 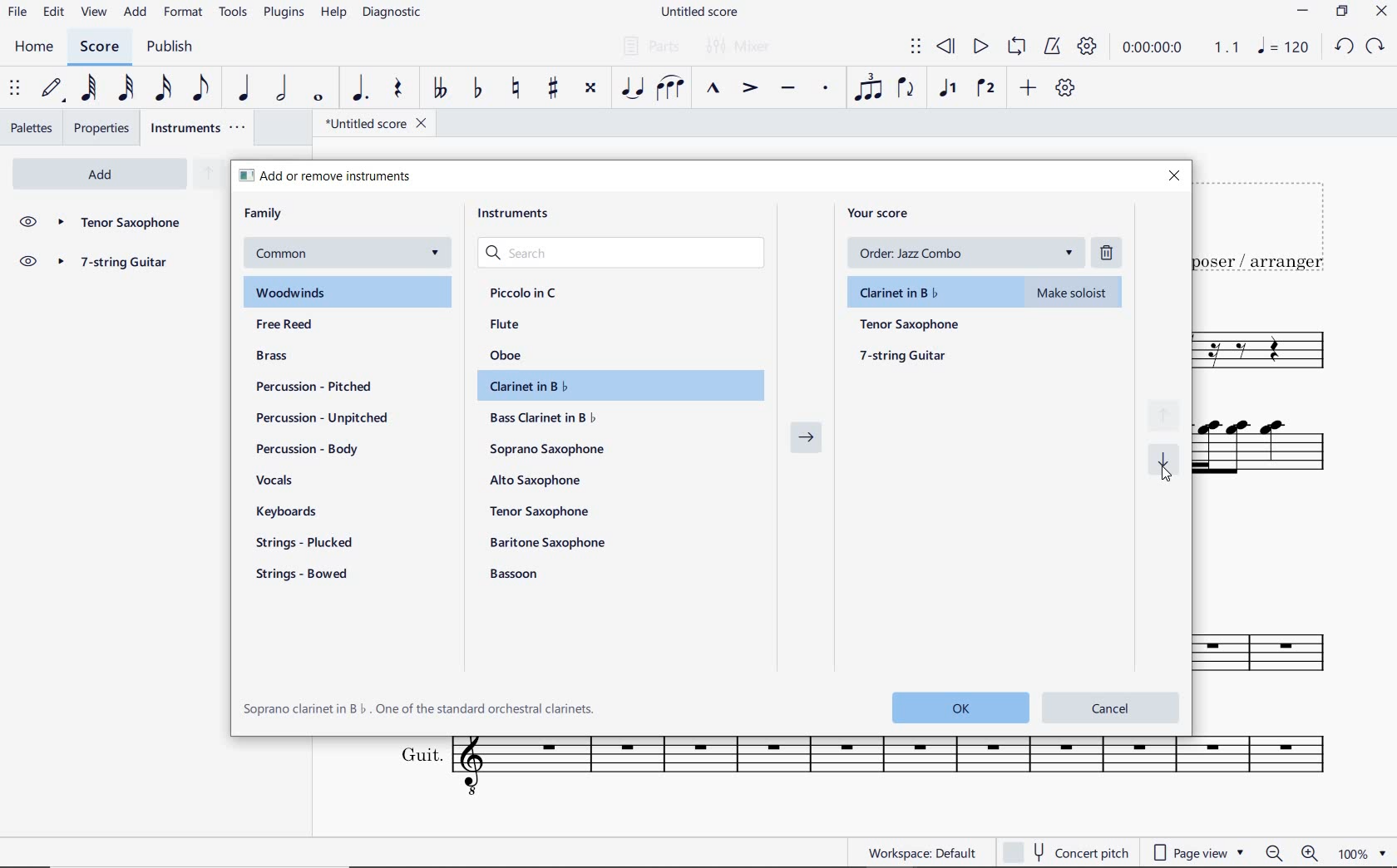 What do you see at coordinates (545, 417) in the screenshot?
I see `bass clarinet in b` at bounding box center [545, 417].